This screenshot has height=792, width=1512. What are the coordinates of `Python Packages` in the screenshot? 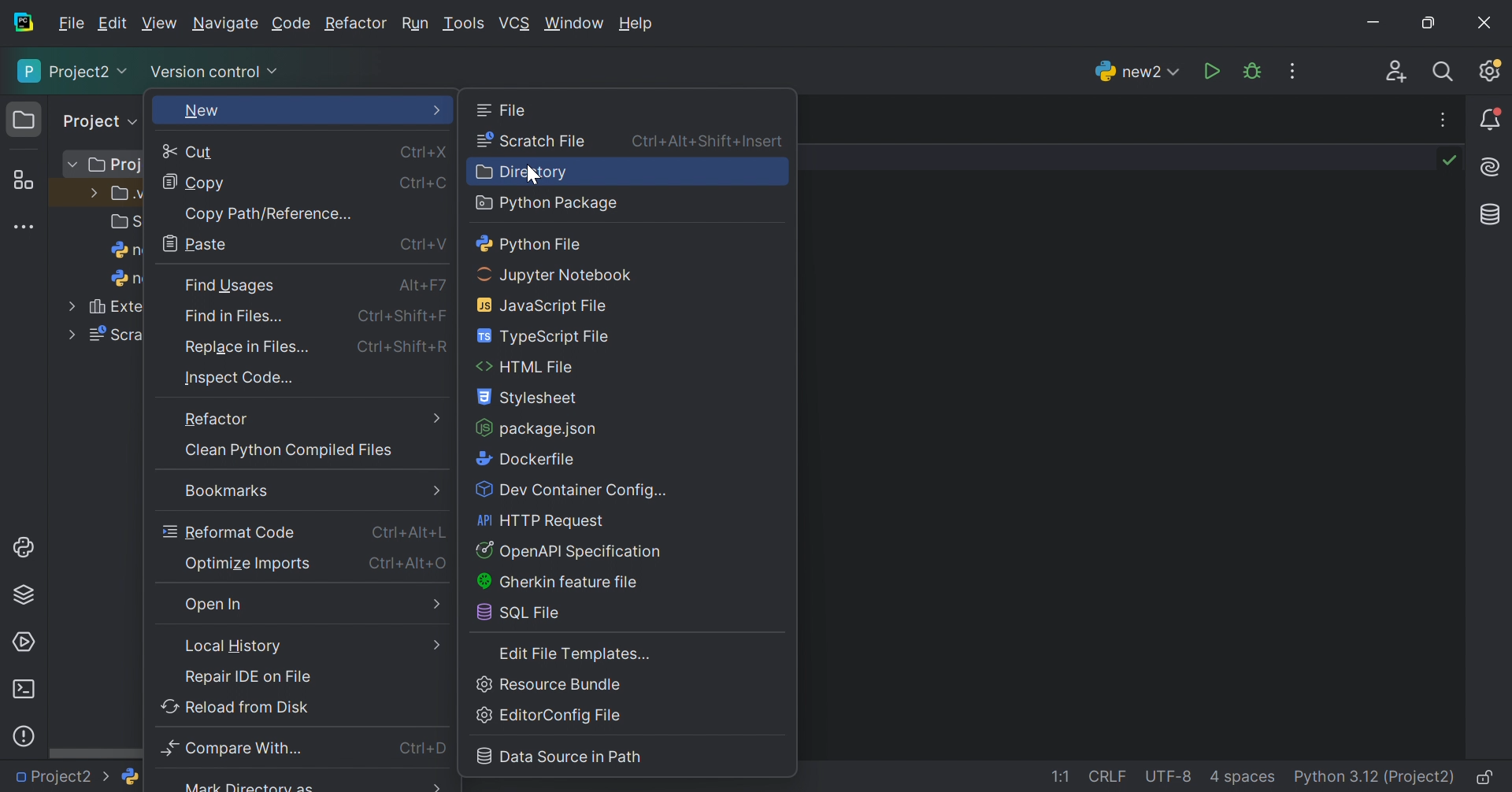 It's located at (24, 597).